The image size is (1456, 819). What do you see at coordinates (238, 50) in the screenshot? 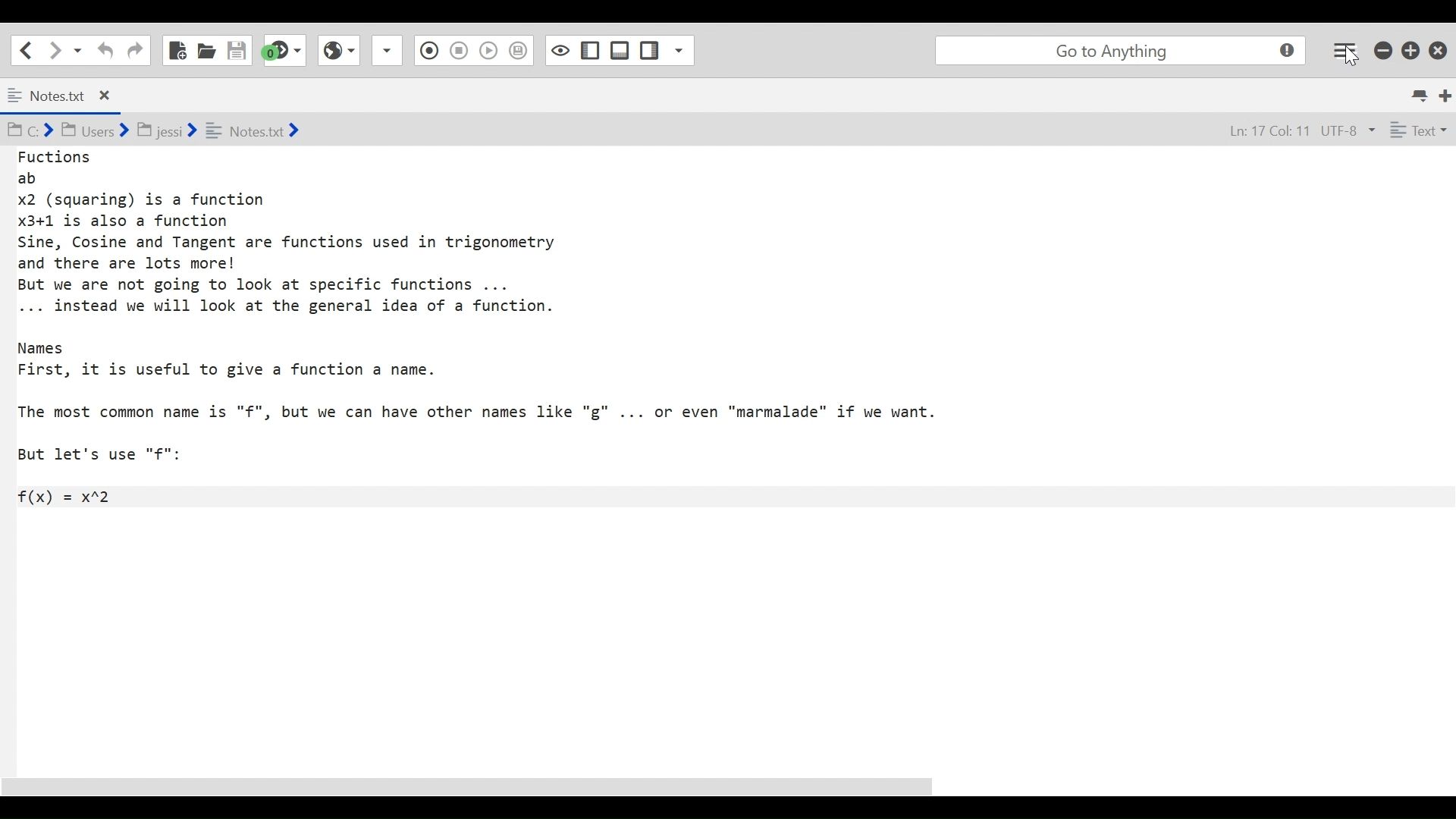
I see `Save File` at bounding box center [238, 50].